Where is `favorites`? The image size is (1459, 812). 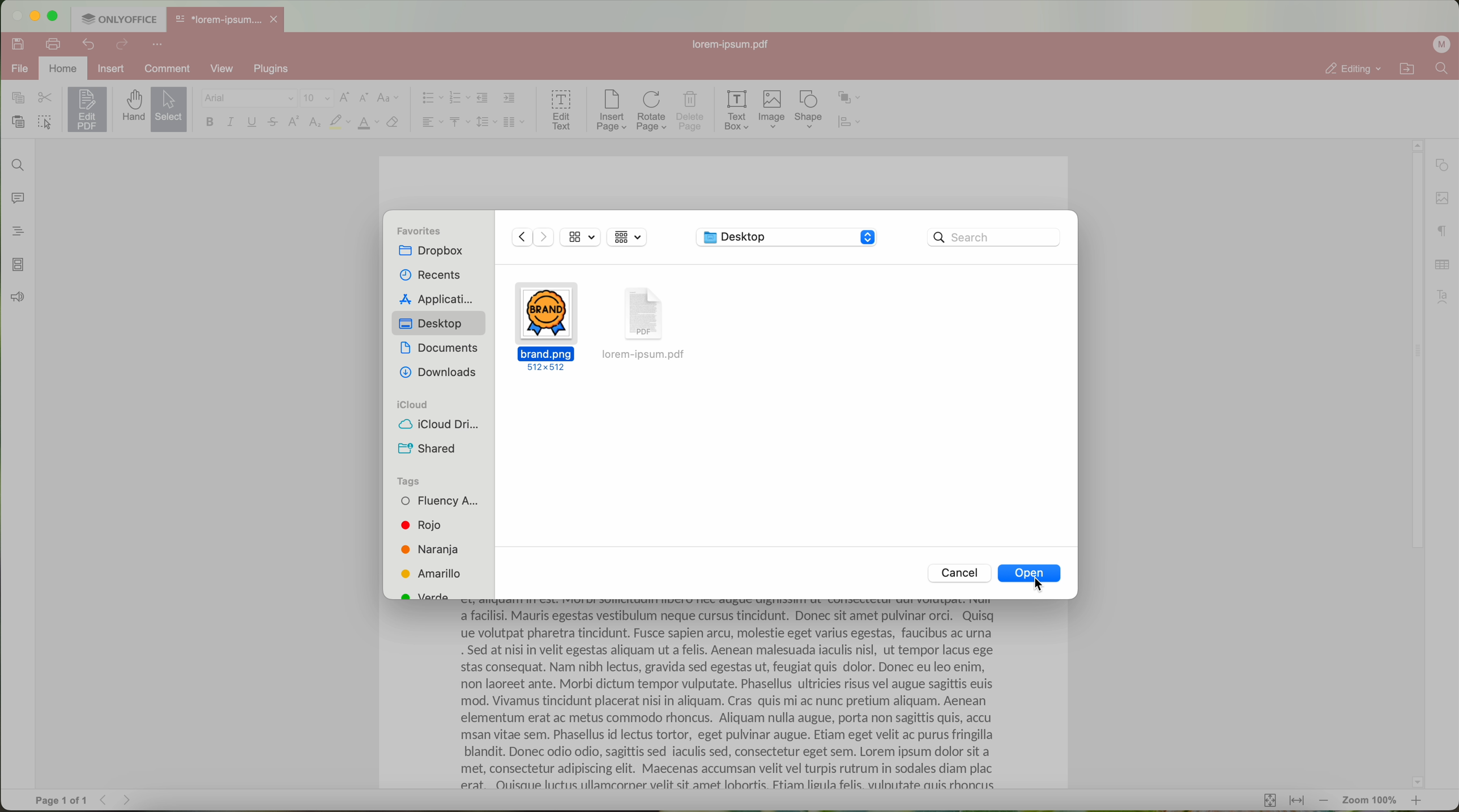 favorites is located at coordinates (416, 231).